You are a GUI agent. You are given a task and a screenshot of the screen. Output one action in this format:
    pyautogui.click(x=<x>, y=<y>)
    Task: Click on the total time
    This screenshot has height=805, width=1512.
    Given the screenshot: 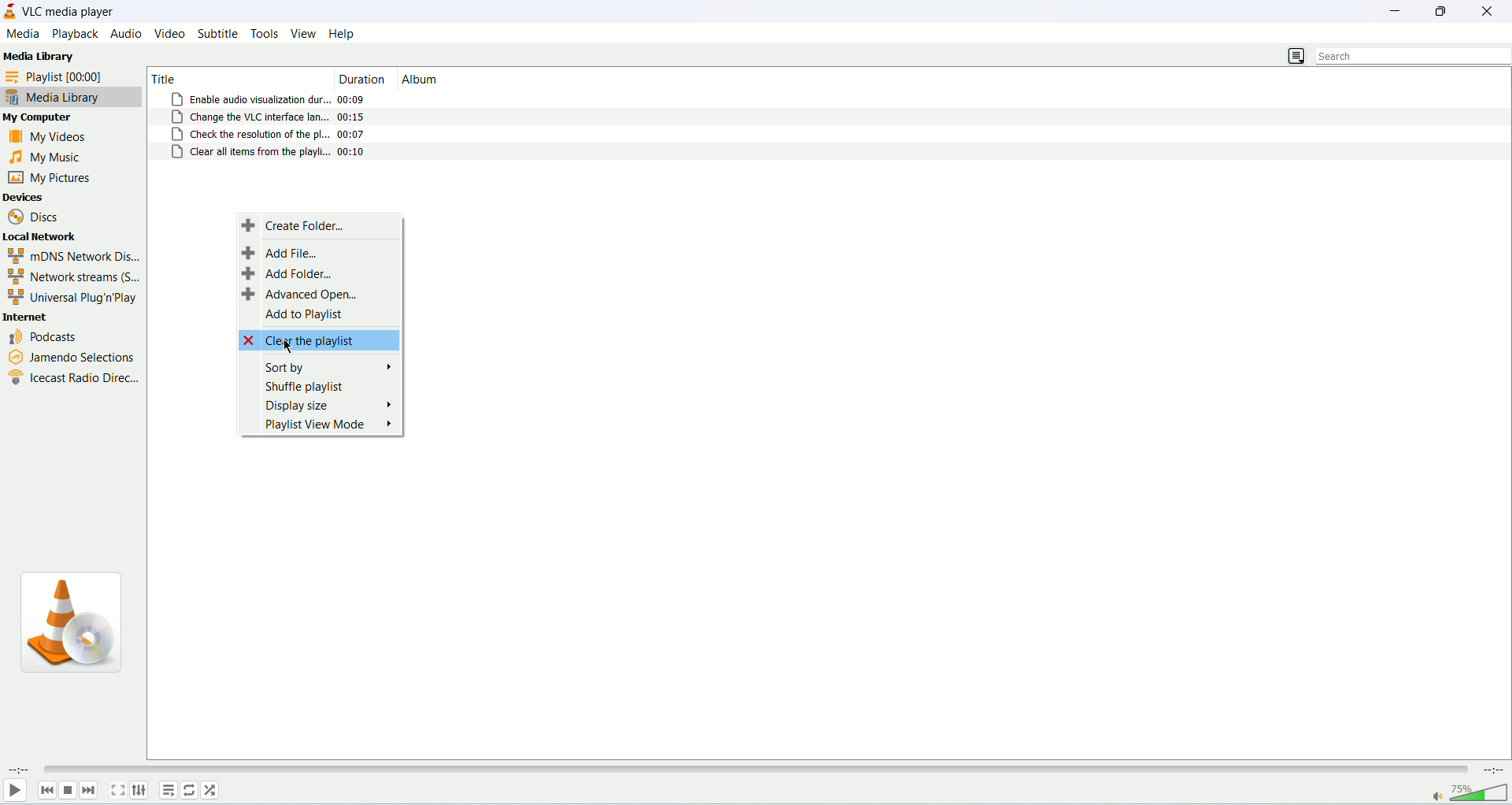 What is the action you would take?
    pyautogui.click(x=1493, y=770)
    